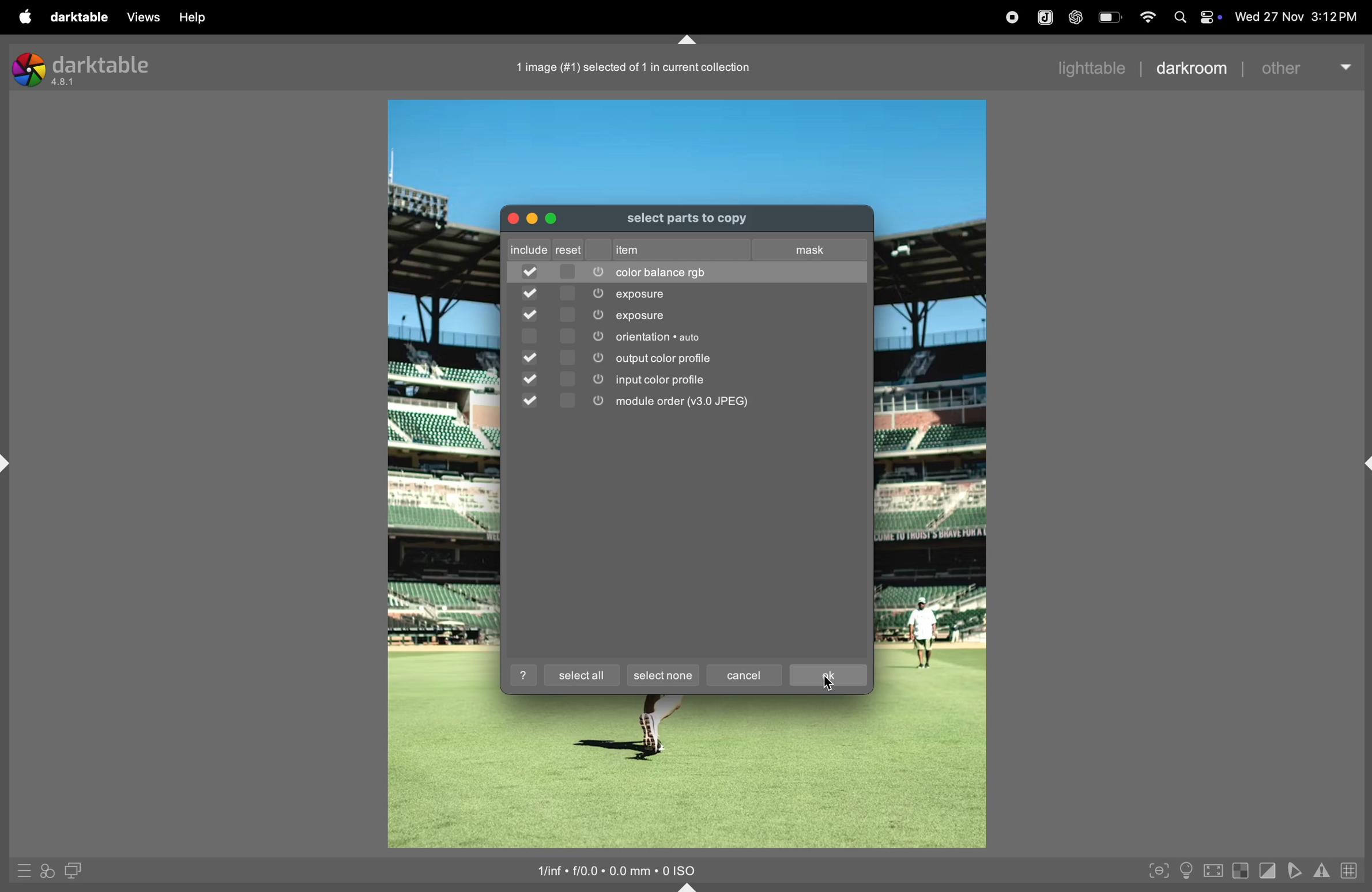 The width and height of the screenshot is (1372, 892). Describe the element at coordinates (624, 870) in the screenshot. I see `iso` at that location.